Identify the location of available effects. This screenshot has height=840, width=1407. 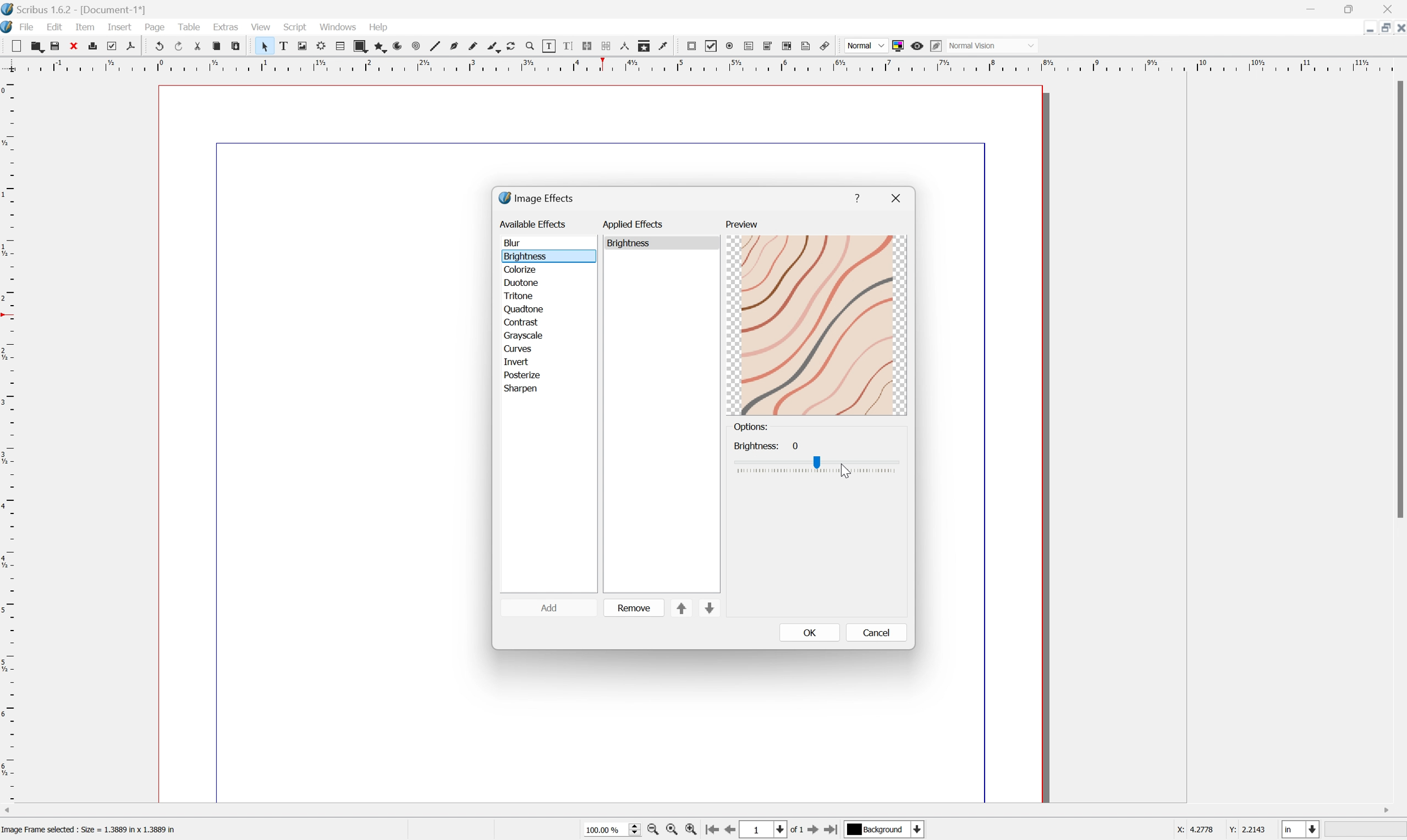
(534, 224).